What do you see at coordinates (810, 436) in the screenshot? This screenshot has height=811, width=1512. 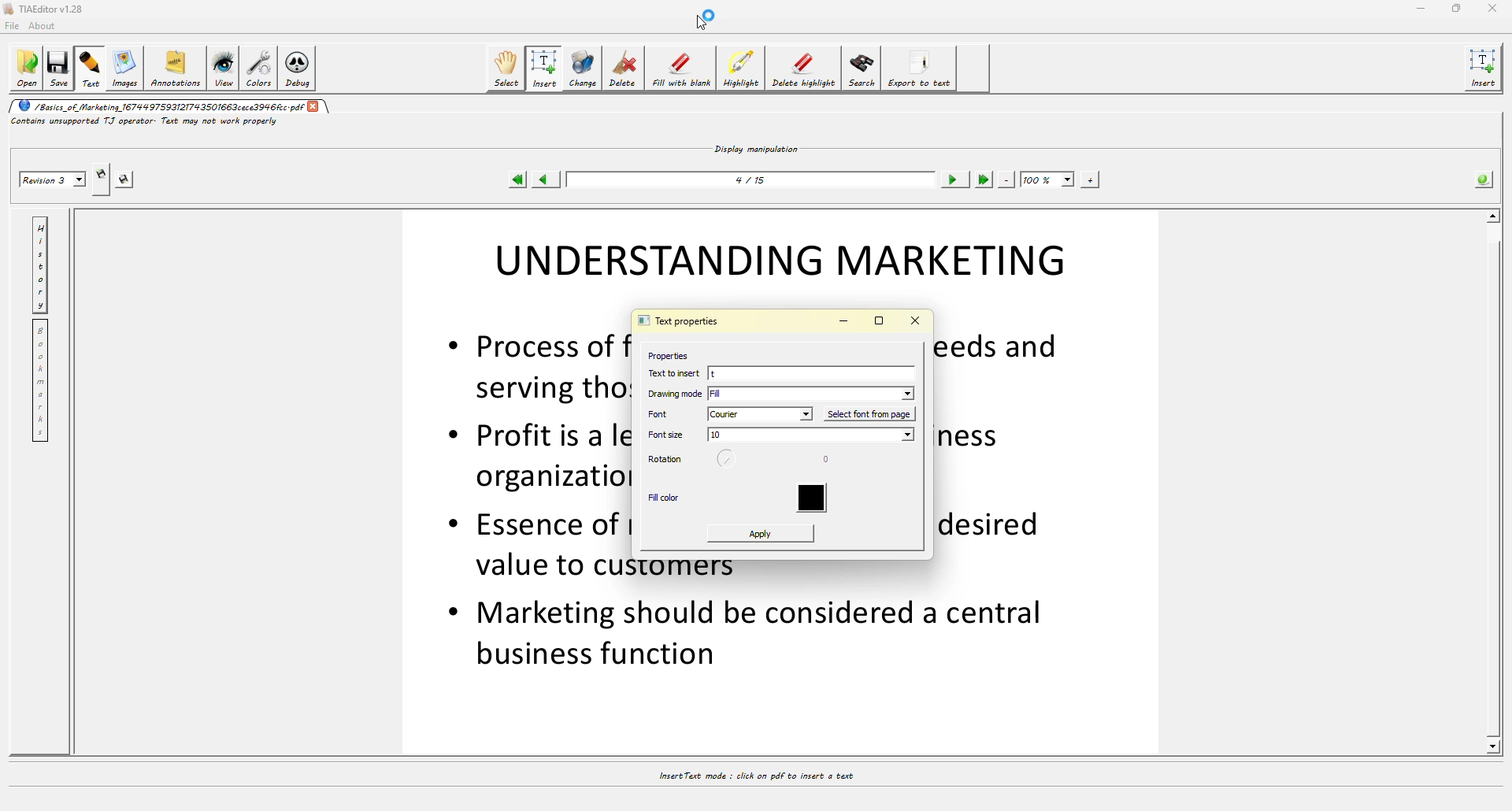 I see `size` at bounding box center [810, 436].